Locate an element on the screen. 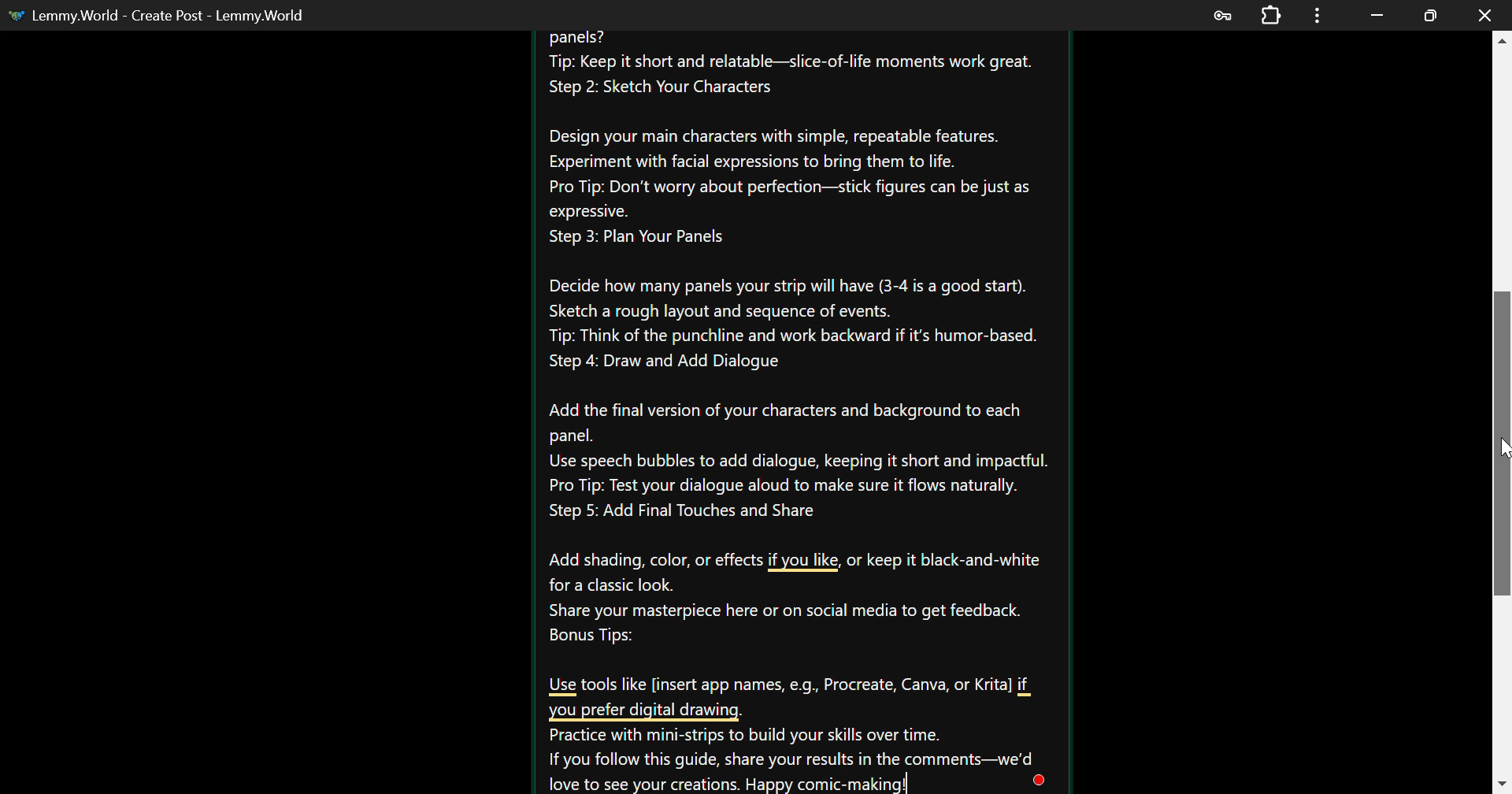  Menu is located at coordinates (1322, 14).